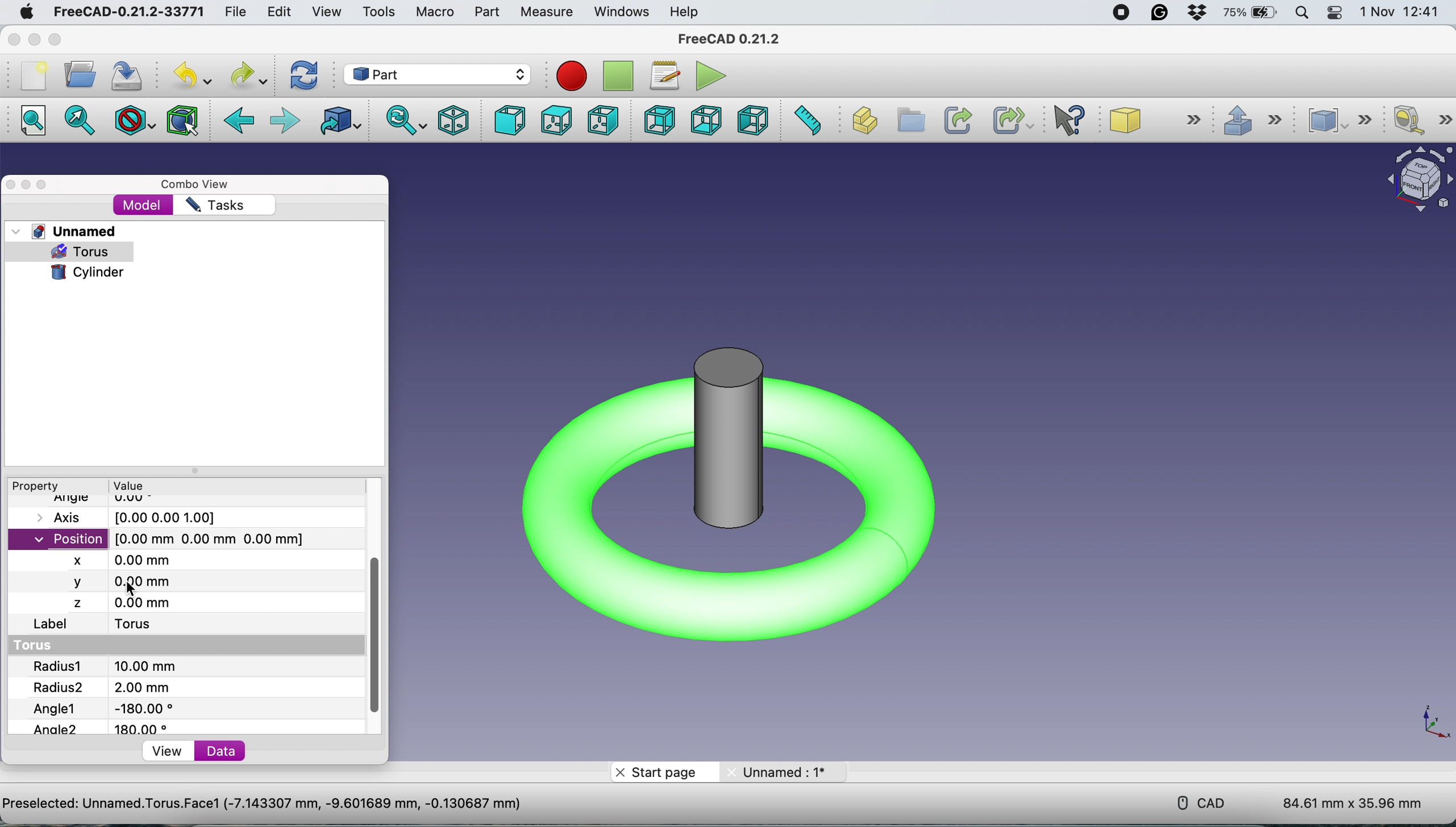 This screenshot has width=1456, height=827. Describe the element at coordinates (912, 121) in the screenshot. I see `create group` at that location.